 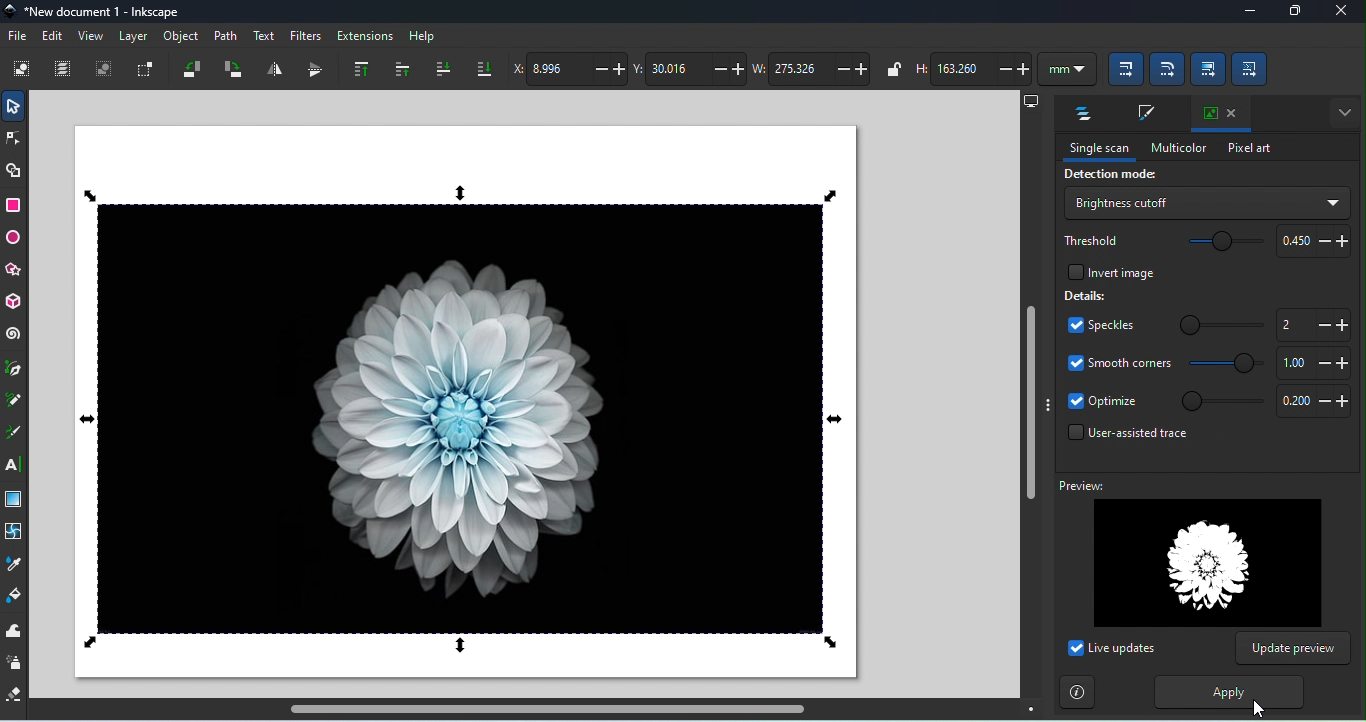 I want to click on When scaling rectangles, scale the radii of the rounded corners, so click(x=1167, y=70).